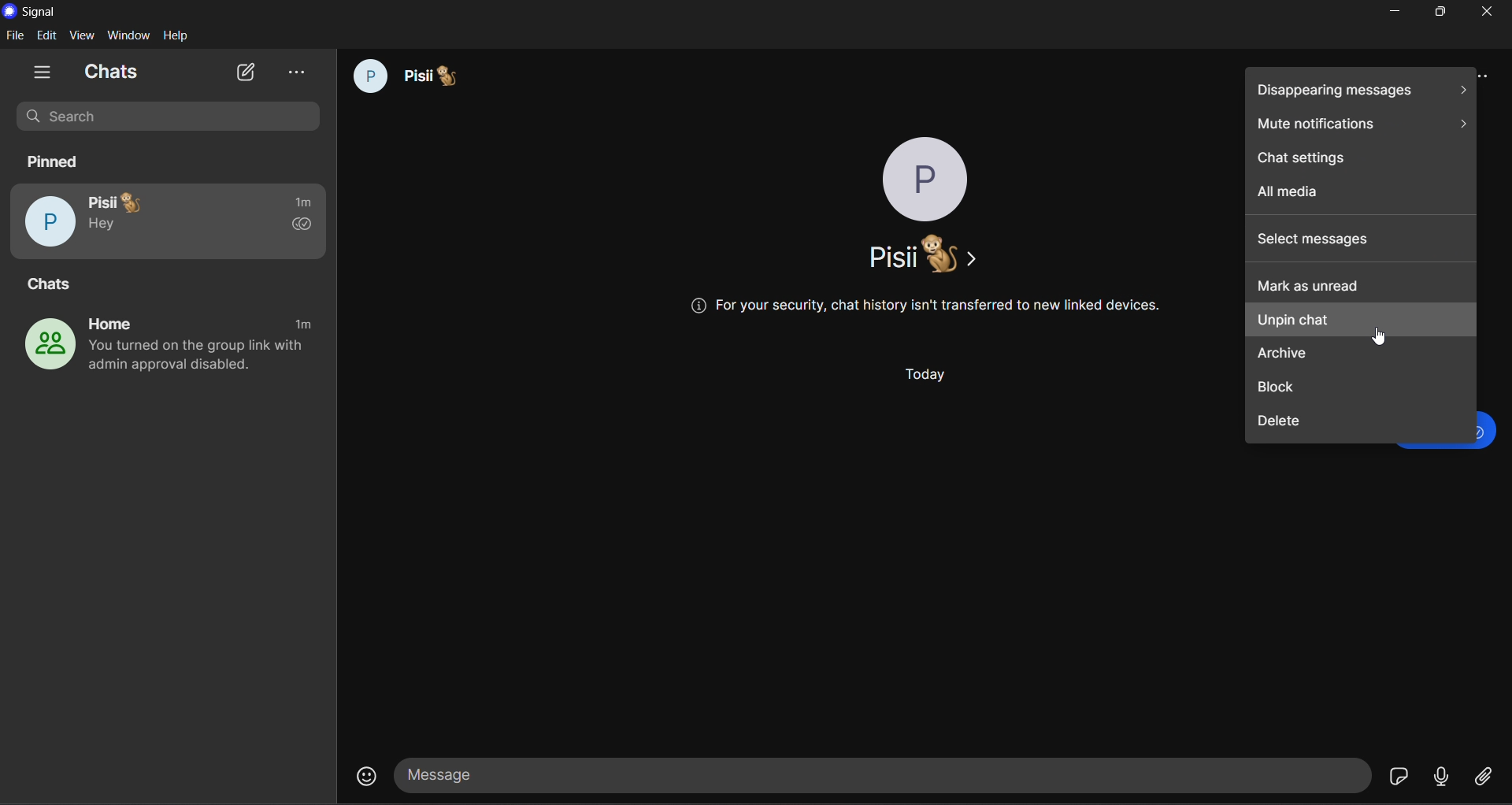  Describe the element at coordinates (247, 71) in the screenshot. I see `new chat` at that location.